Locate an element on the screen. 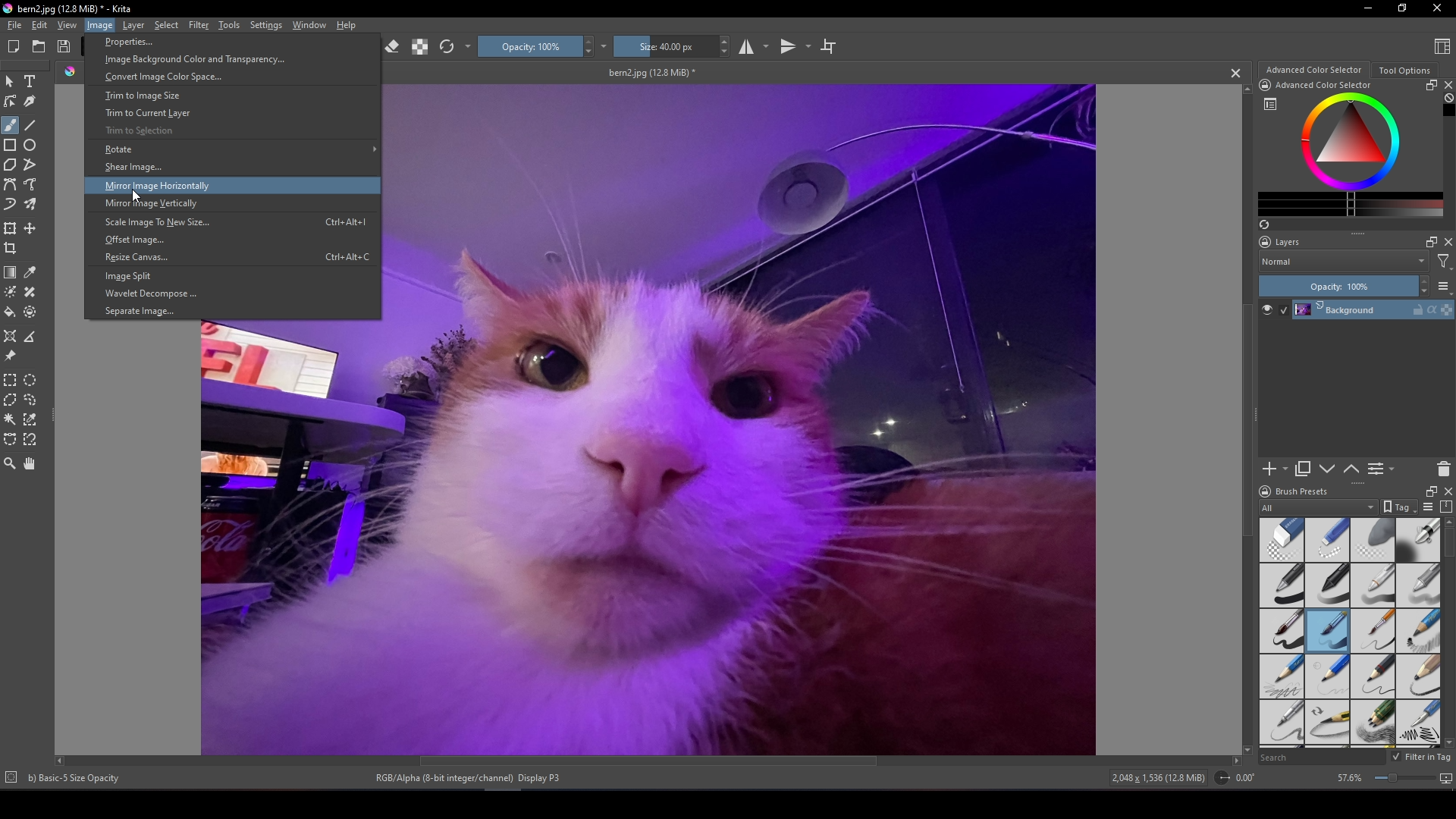 The image size is (1456, 819). Opacity is located at coordinates (538, 46).